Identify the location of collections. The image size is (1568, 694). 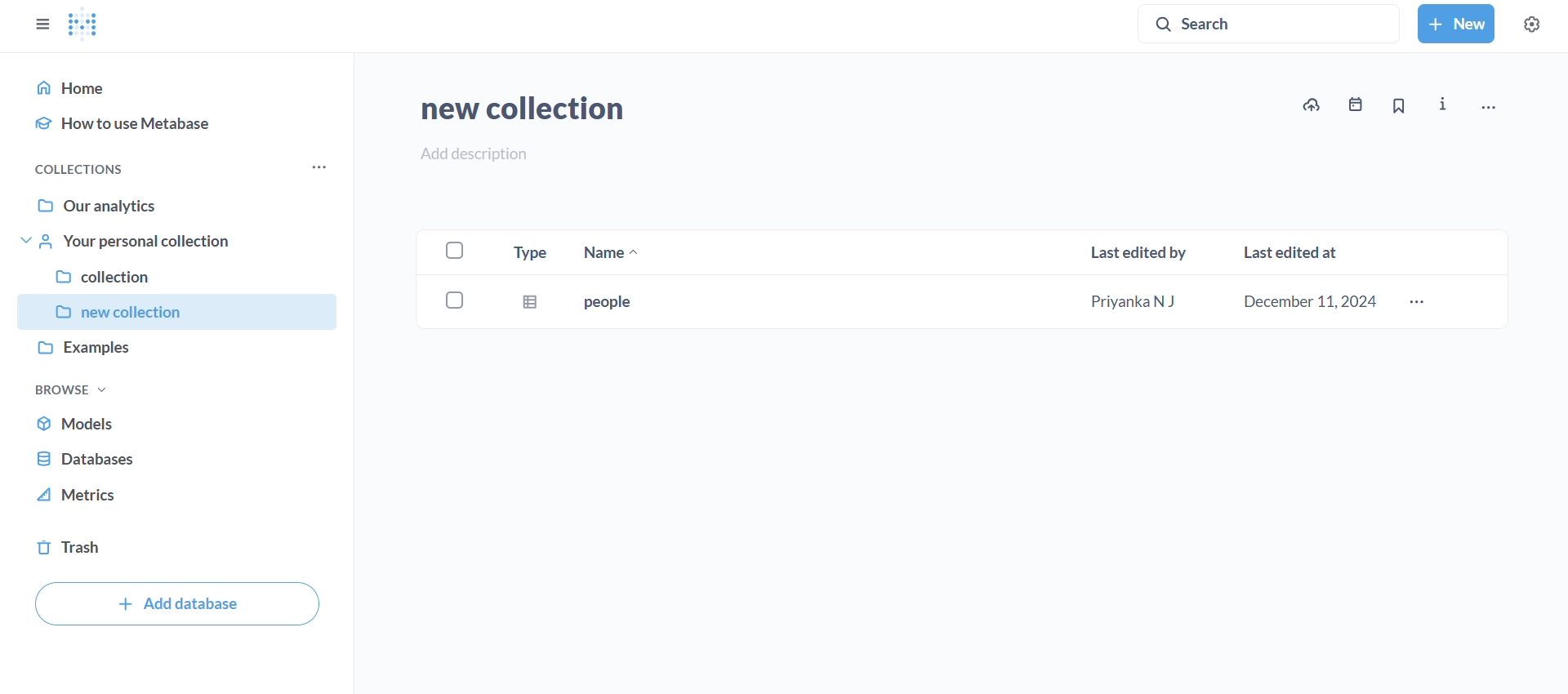
(84, 169).